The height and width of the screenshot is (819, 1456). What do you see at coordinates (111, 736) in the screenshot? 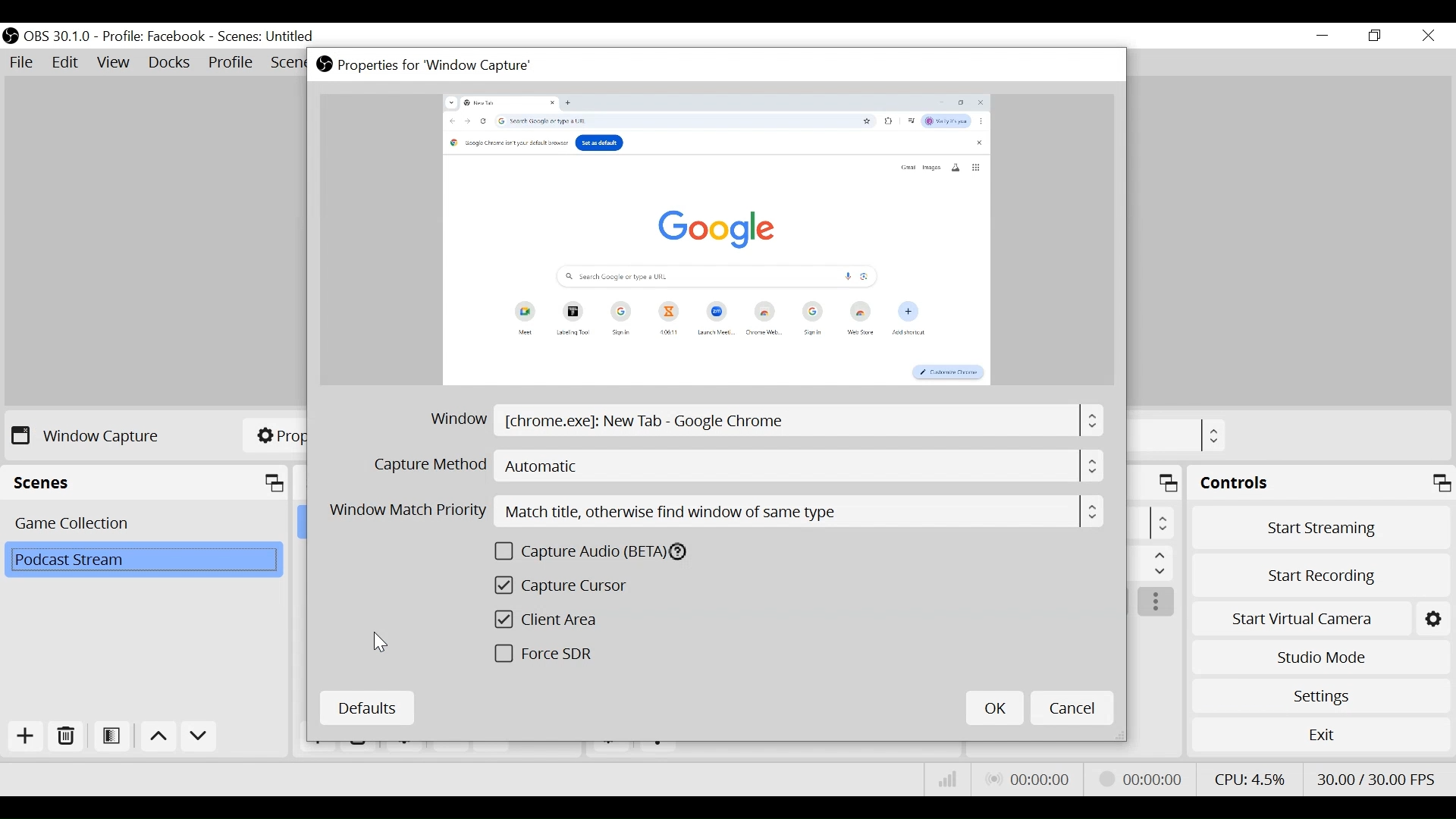
I see `Open Scene Filter` at bounding box center [111, 736].